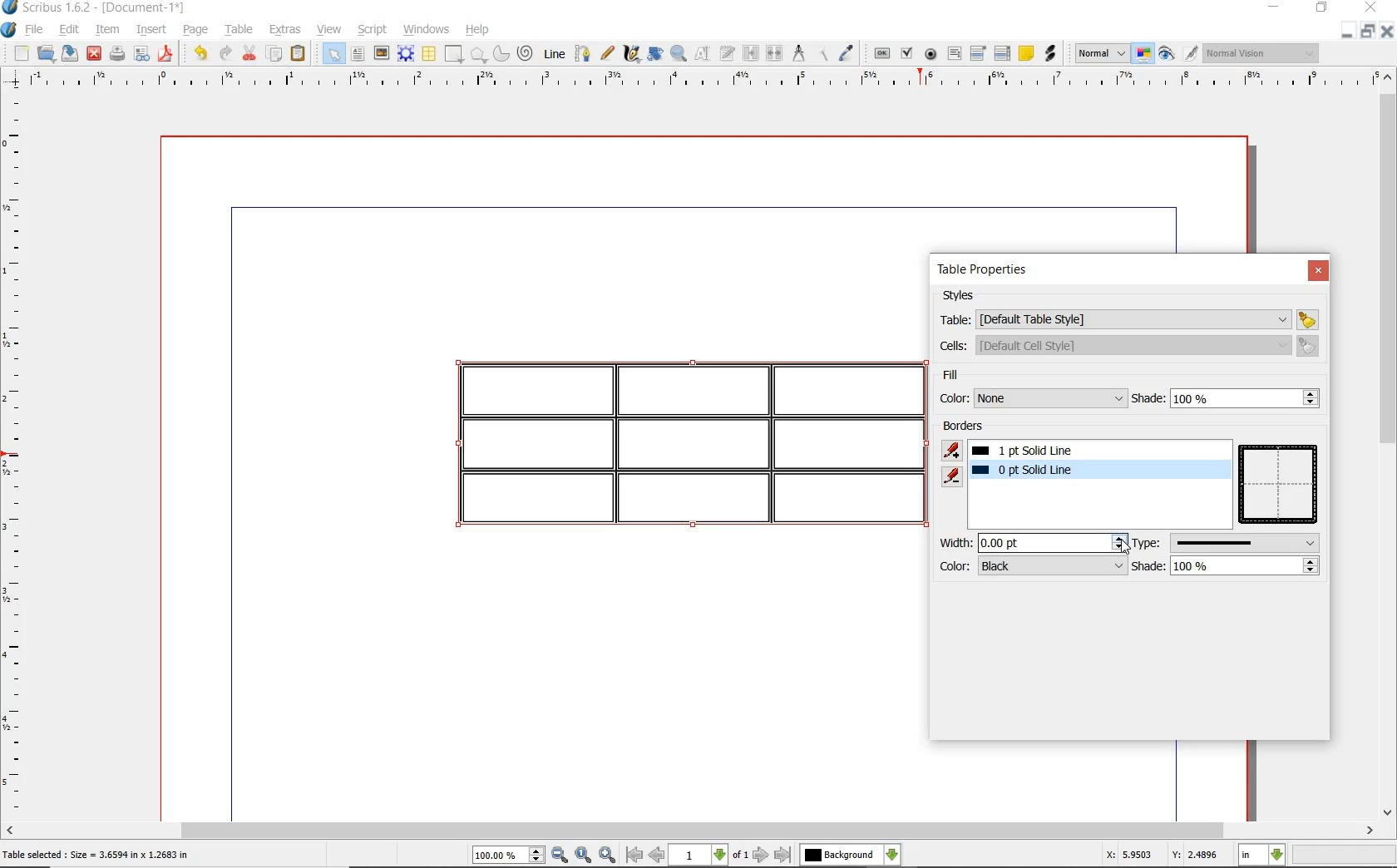 The height and width of the screenshot is (868, 1397). What do you see at coordinates (1051, 54) in the screenshot?
I see `link annotation` at bounding box center [1051, 54].